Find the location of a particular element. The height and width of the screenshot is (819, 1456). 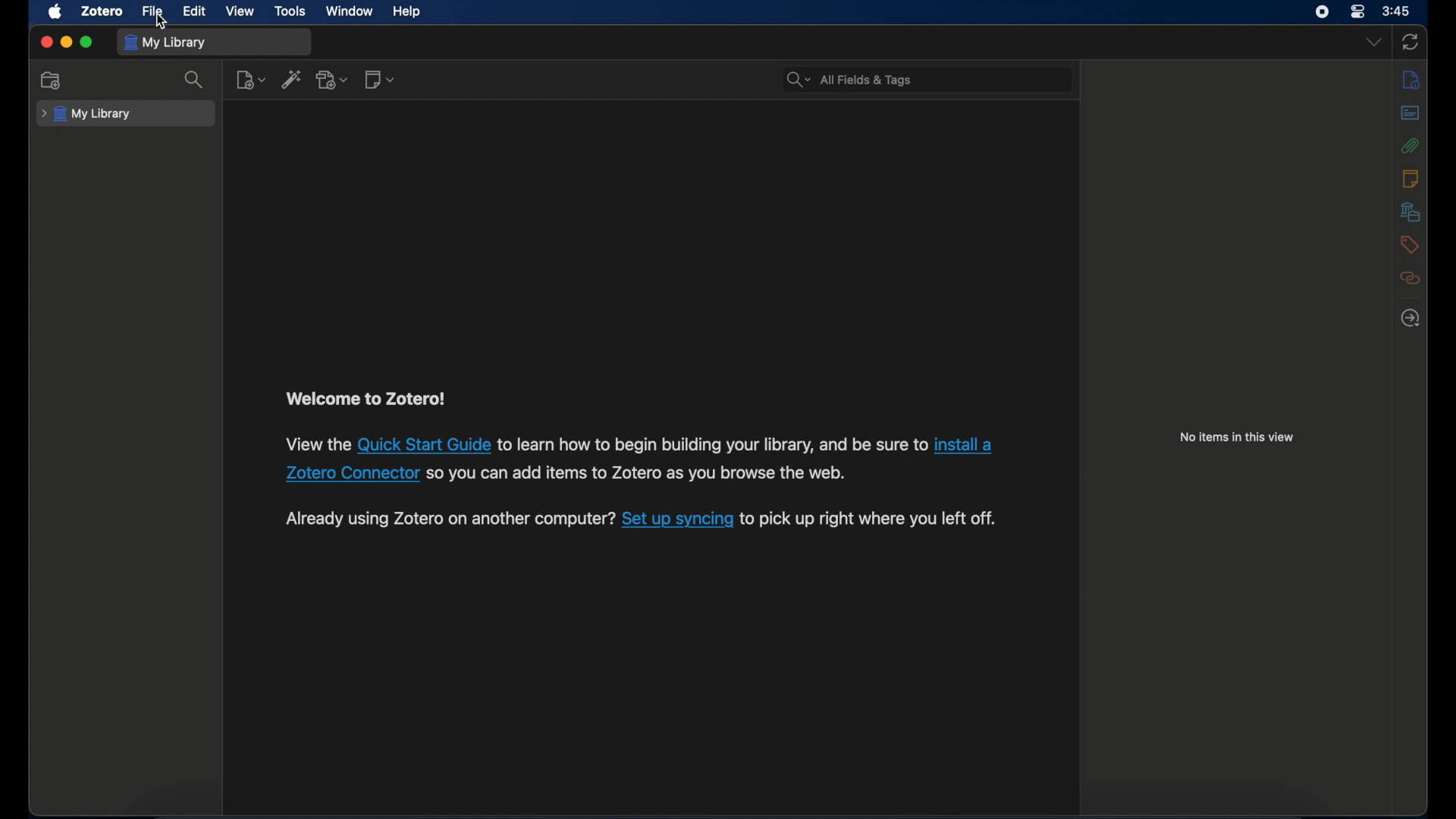

minimize is located at coordinates (67, 42).